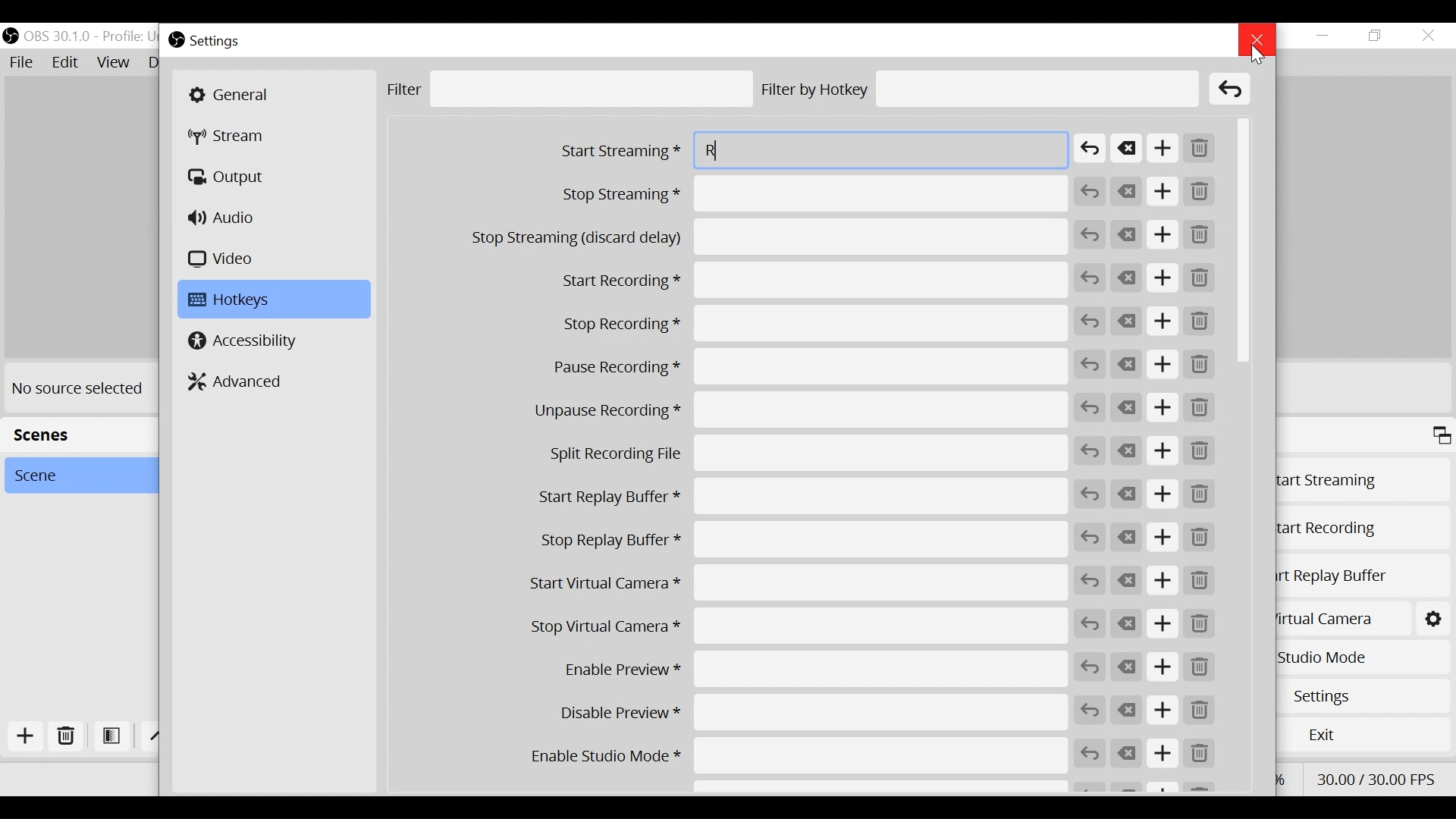 The image size is (1456, 819). I want to click on Revert, so click(1090, 711).